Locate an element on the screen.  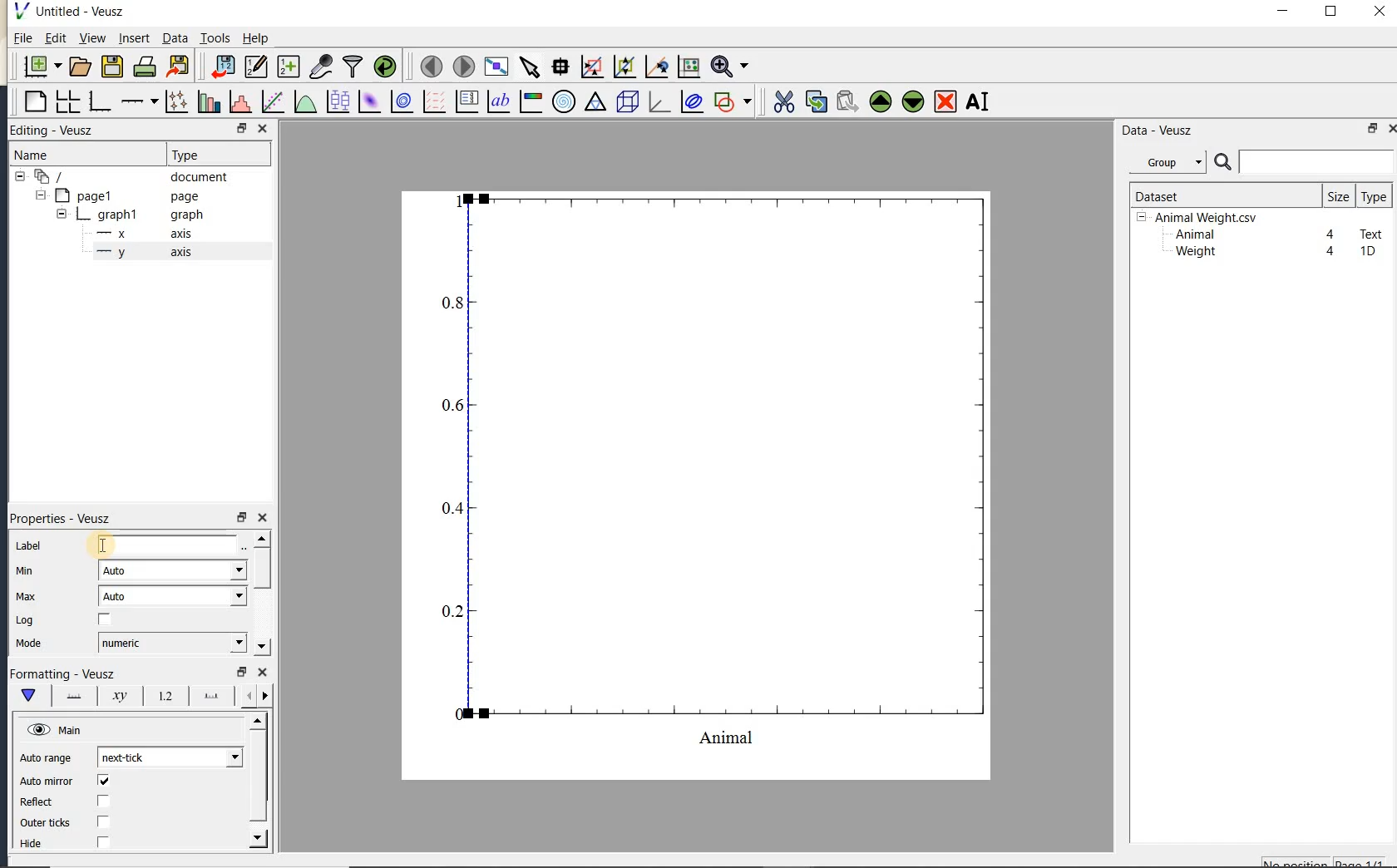
plot key is located at coordinates (465, 101).